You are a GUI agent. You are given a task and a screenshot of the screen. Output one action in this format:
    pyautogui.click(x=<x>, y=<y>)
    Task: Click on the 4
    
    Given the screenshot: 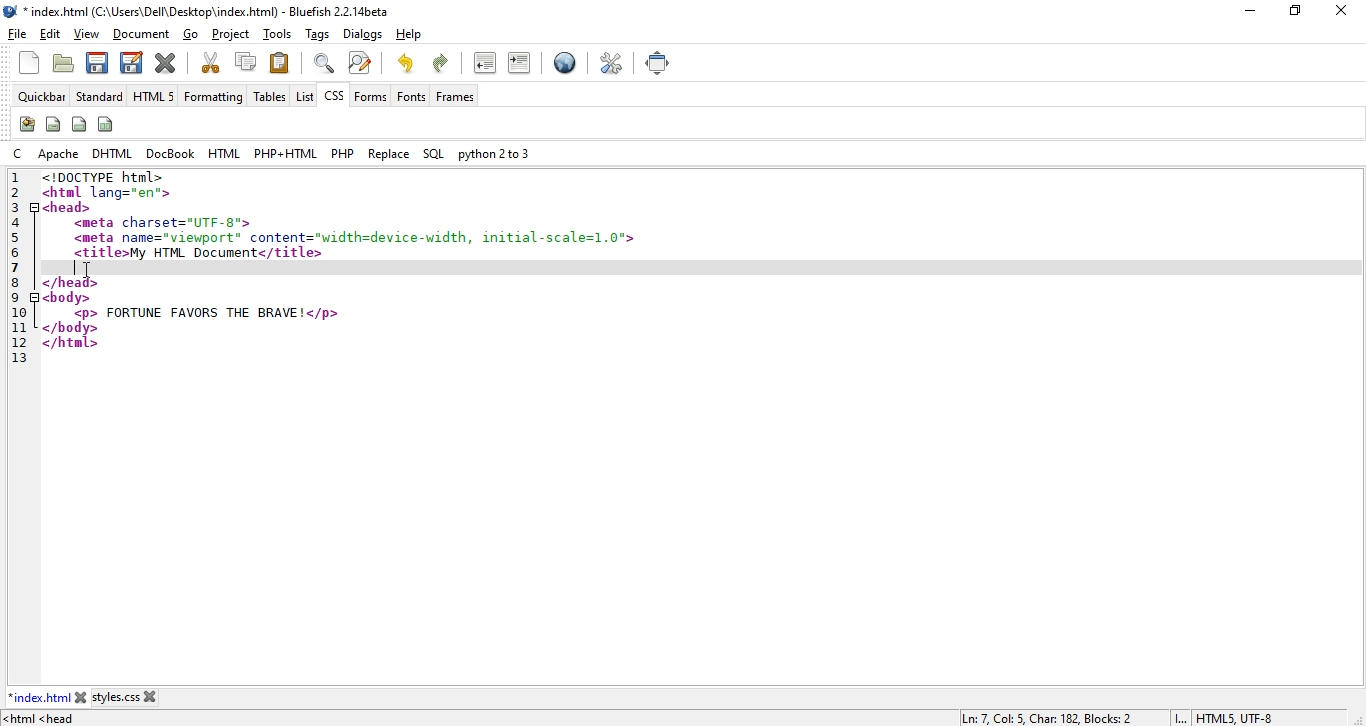 What is the action you would take?
    pyautogui.click(x=20, y=221)
    